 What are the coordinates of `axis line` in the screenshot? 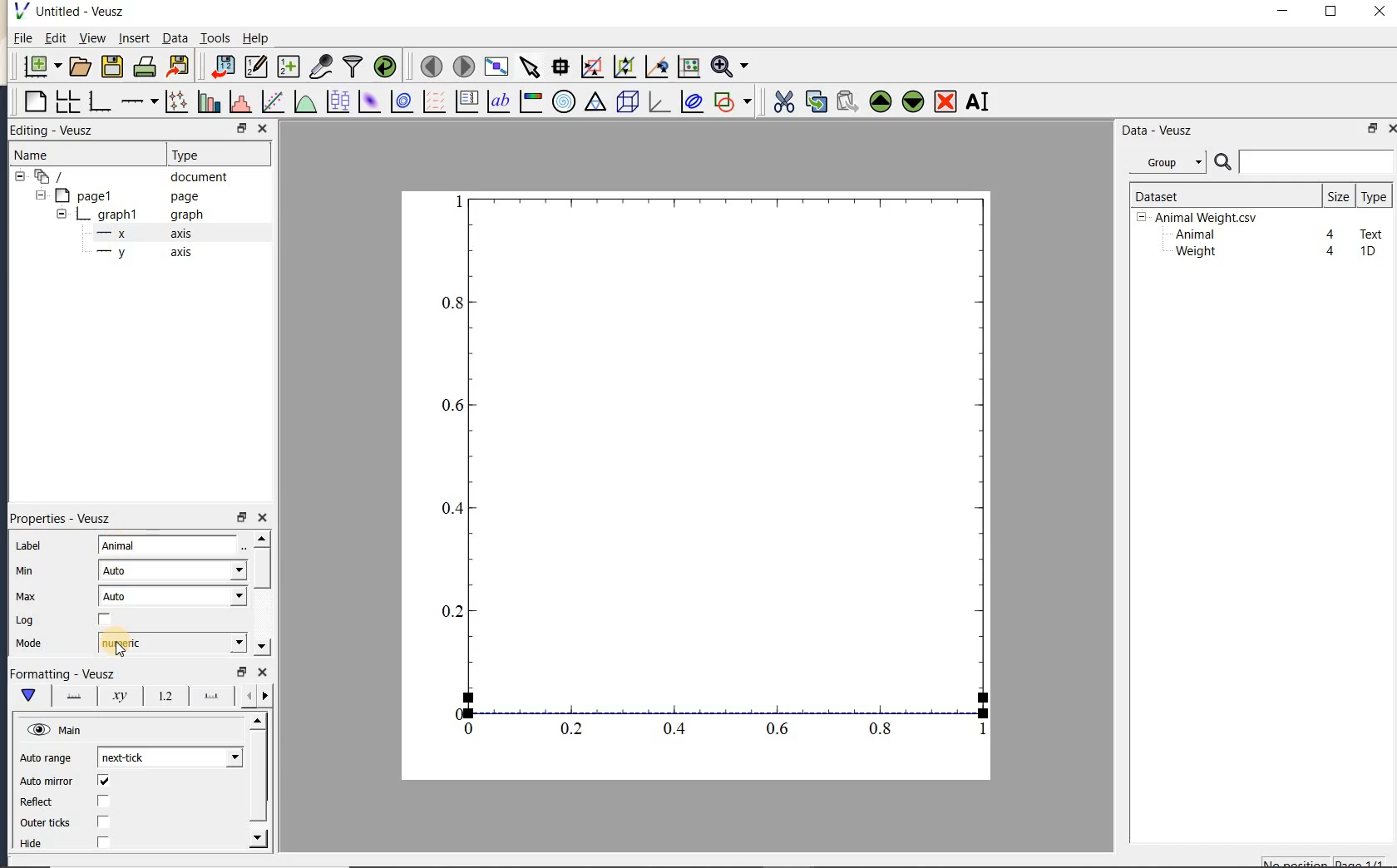 It's located at (71, 696).